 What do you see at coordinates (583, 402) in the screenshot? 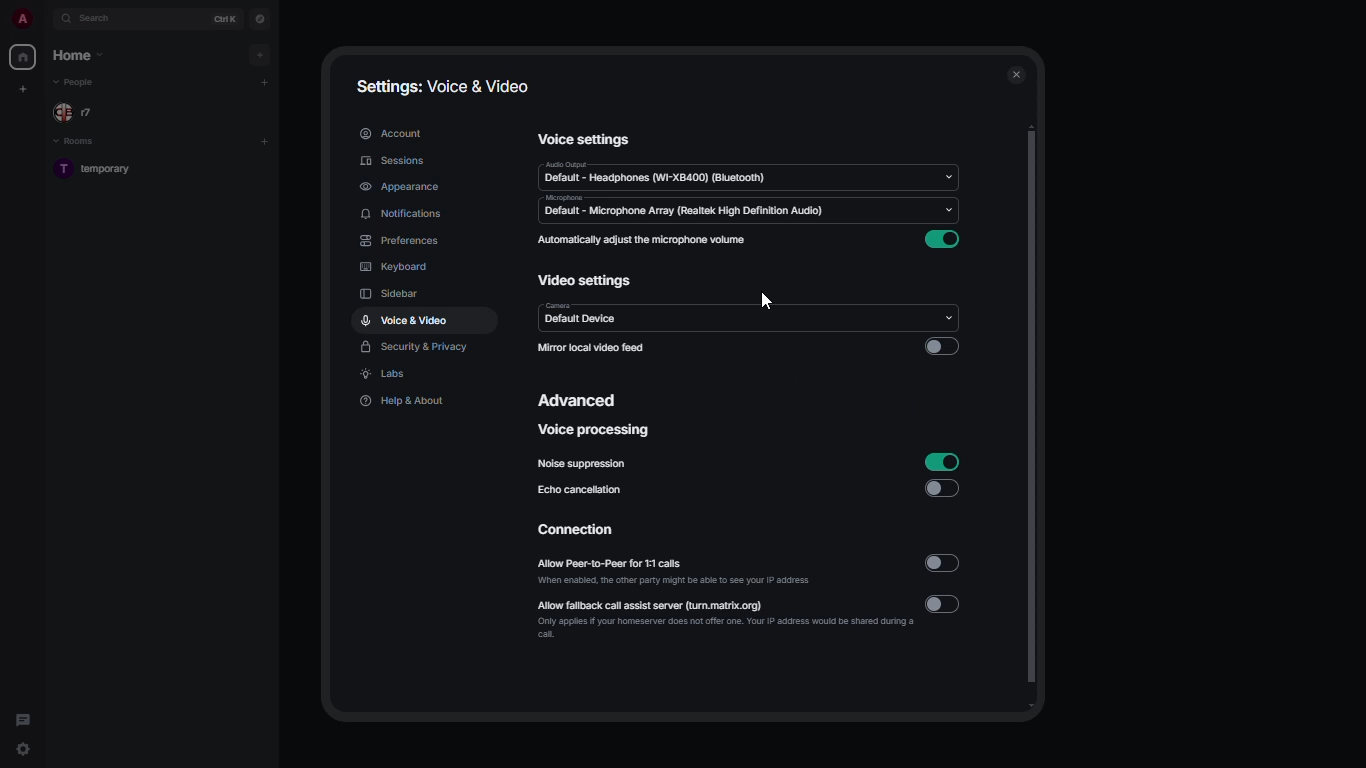
I see `advanced` at bounding box center [583, 402].